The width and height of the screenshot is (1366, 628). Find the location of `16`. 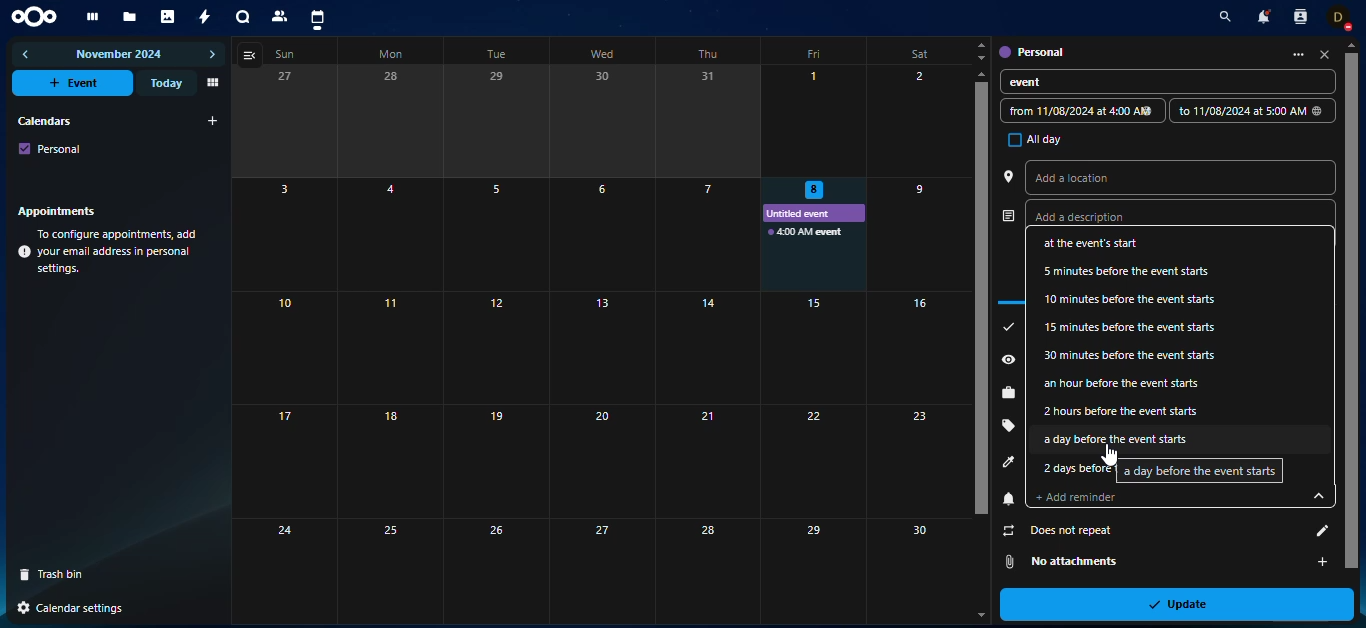

16 is located at coordinates (917, 348).